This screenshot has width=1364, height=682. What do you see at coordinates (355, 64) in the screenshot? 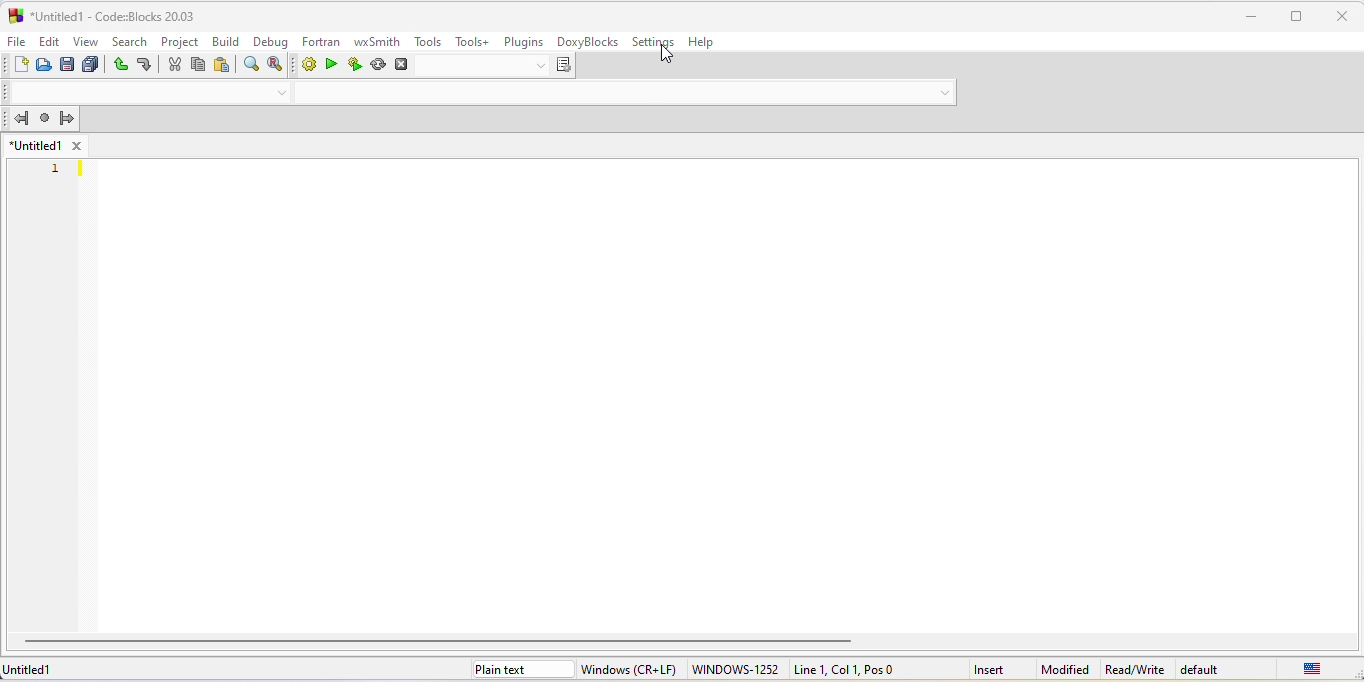
I see `build and run` at bounding box center [355, 64].